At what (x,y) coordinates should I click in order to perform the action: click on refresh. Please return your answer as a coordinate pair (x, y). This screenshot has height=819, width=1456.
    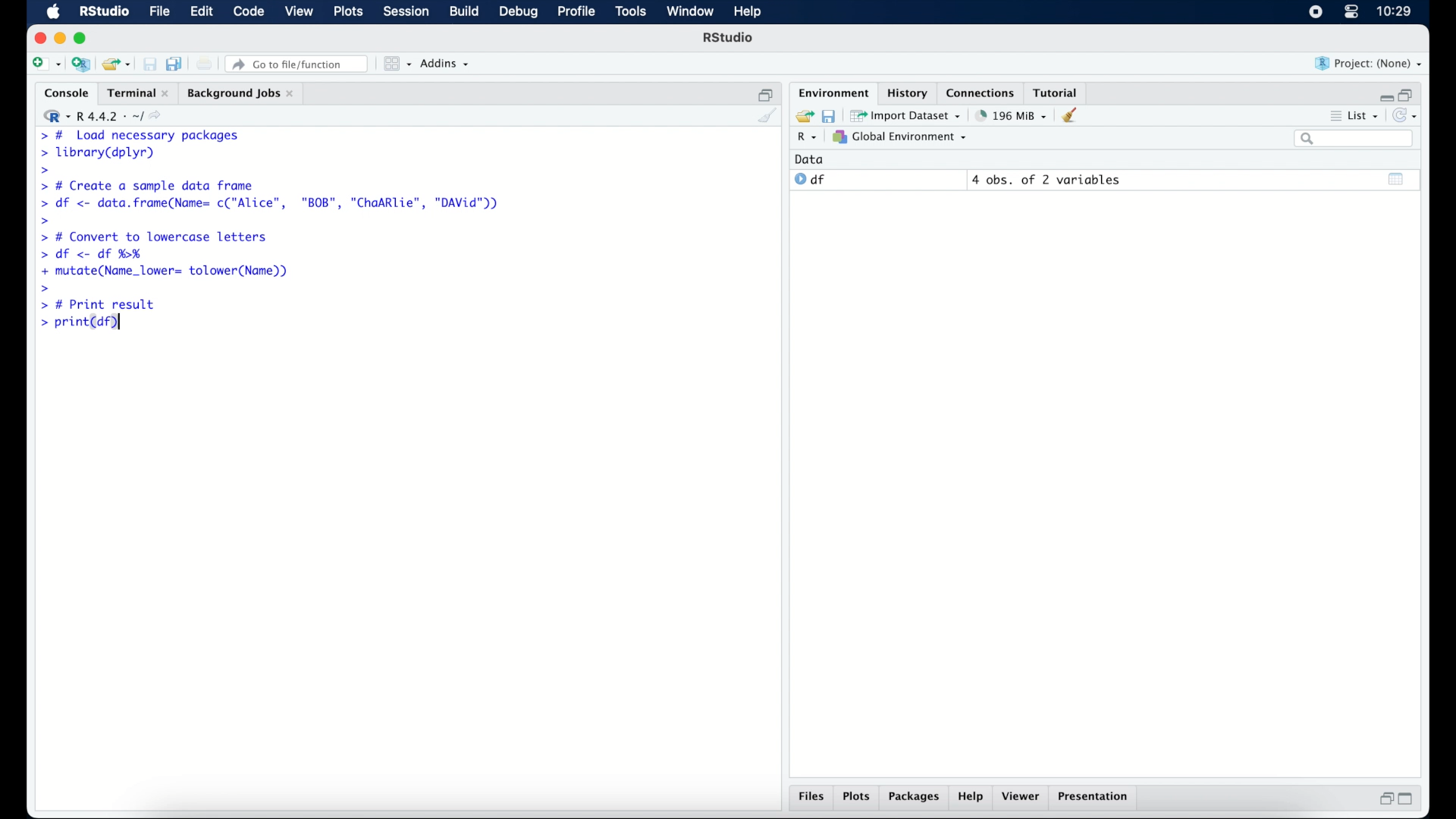
    Looking at the image, I should click on (1407, 117).